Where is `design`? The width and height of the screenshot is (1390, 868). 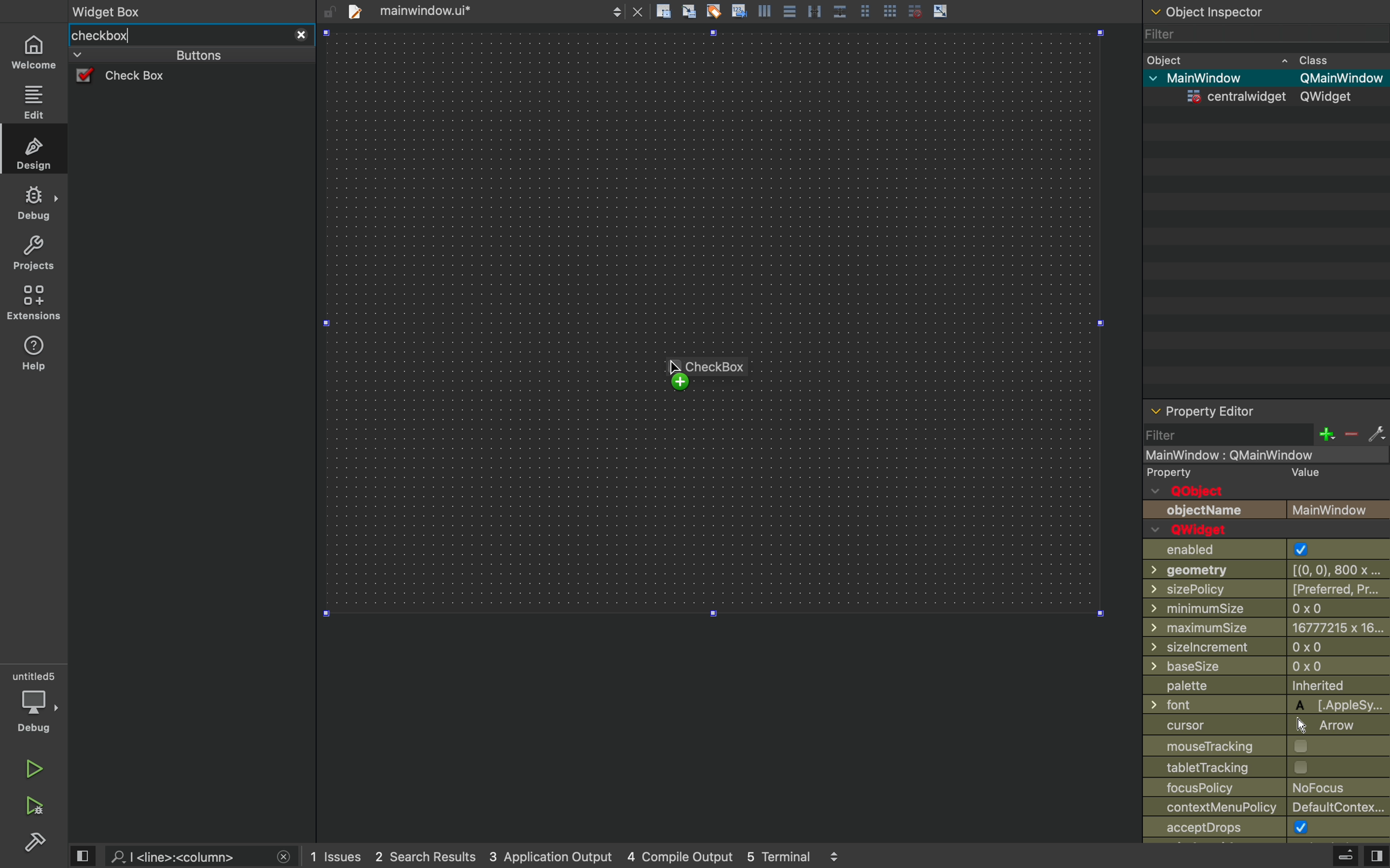 design is located at coordinates (34, 152).